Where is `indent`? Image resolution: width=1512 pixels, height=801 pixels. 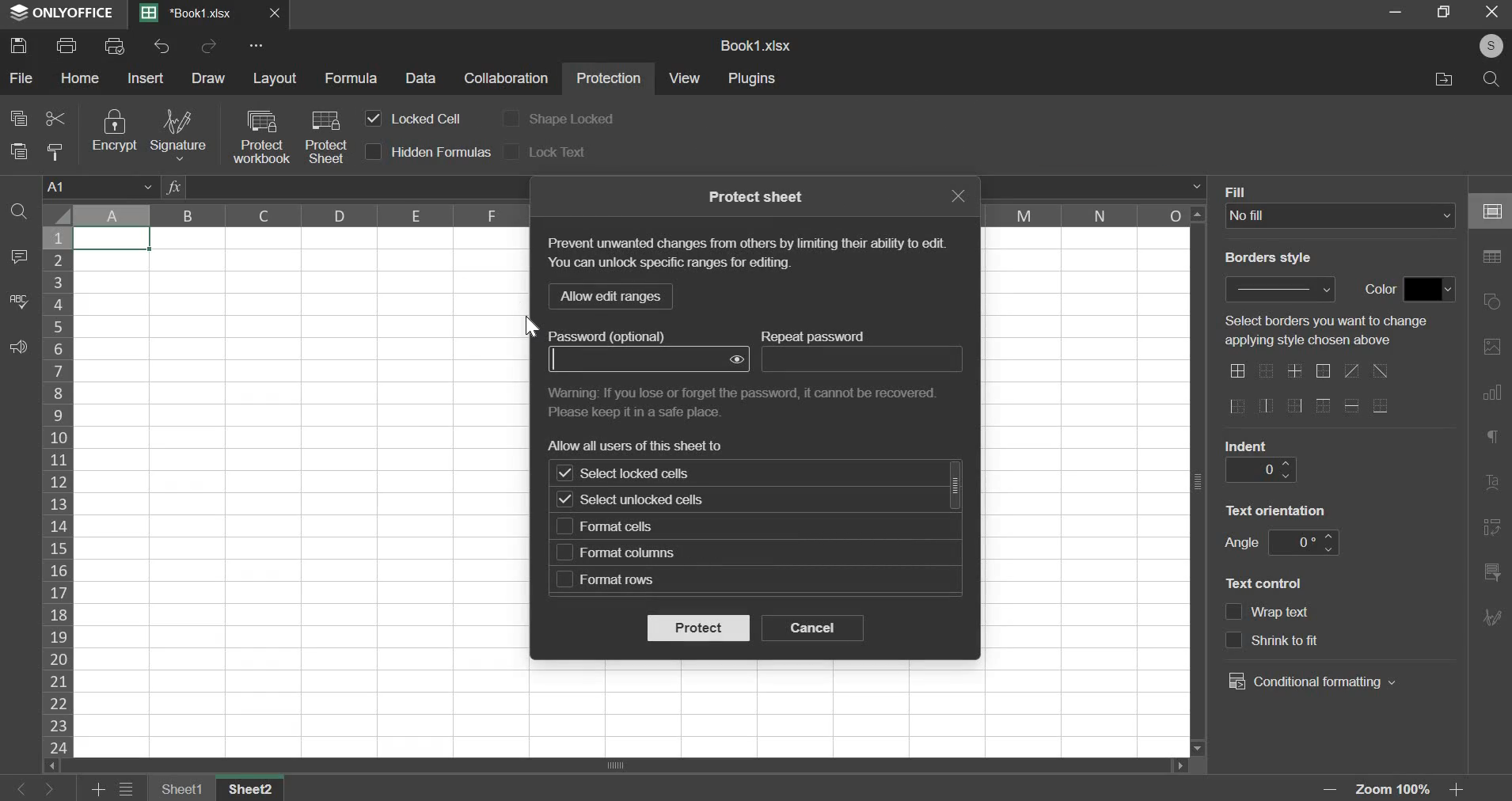
indent is located at coordinates (1246, 445).